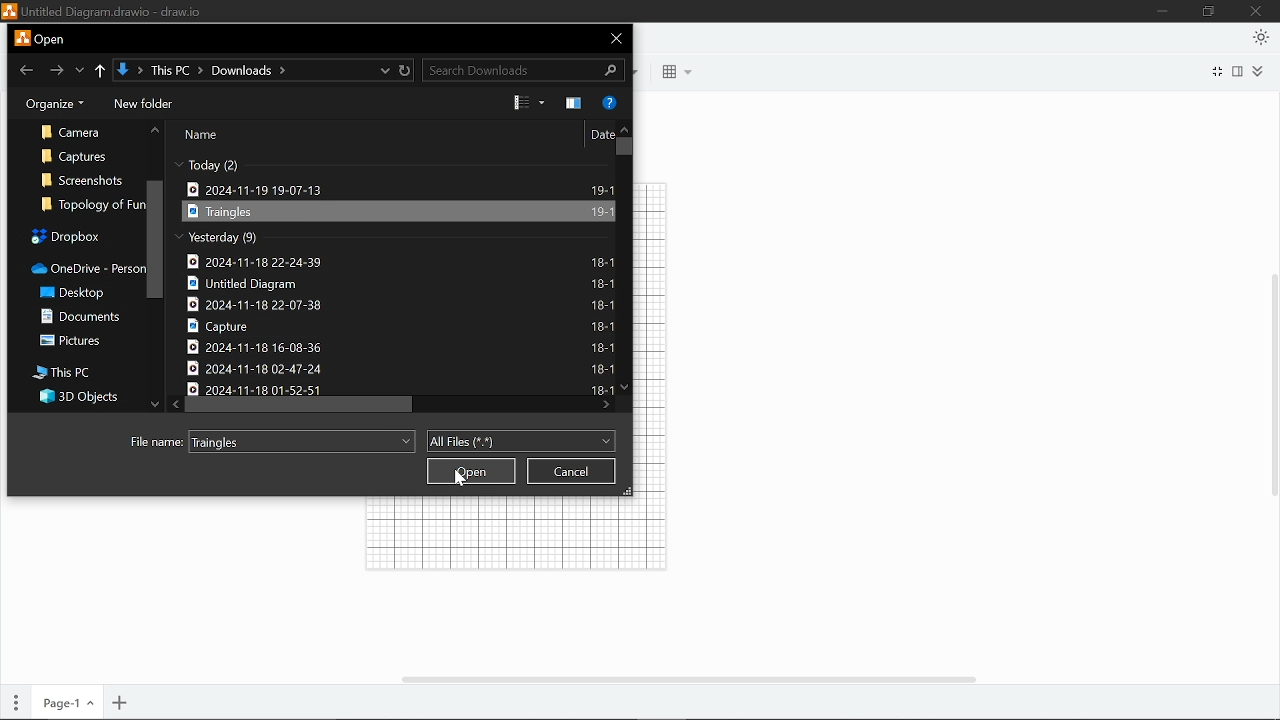 This screenshot has height=720, width=1280. Describe the element at coordinates (1258, 37) in the screenshot. I see `Appearence` at that location.